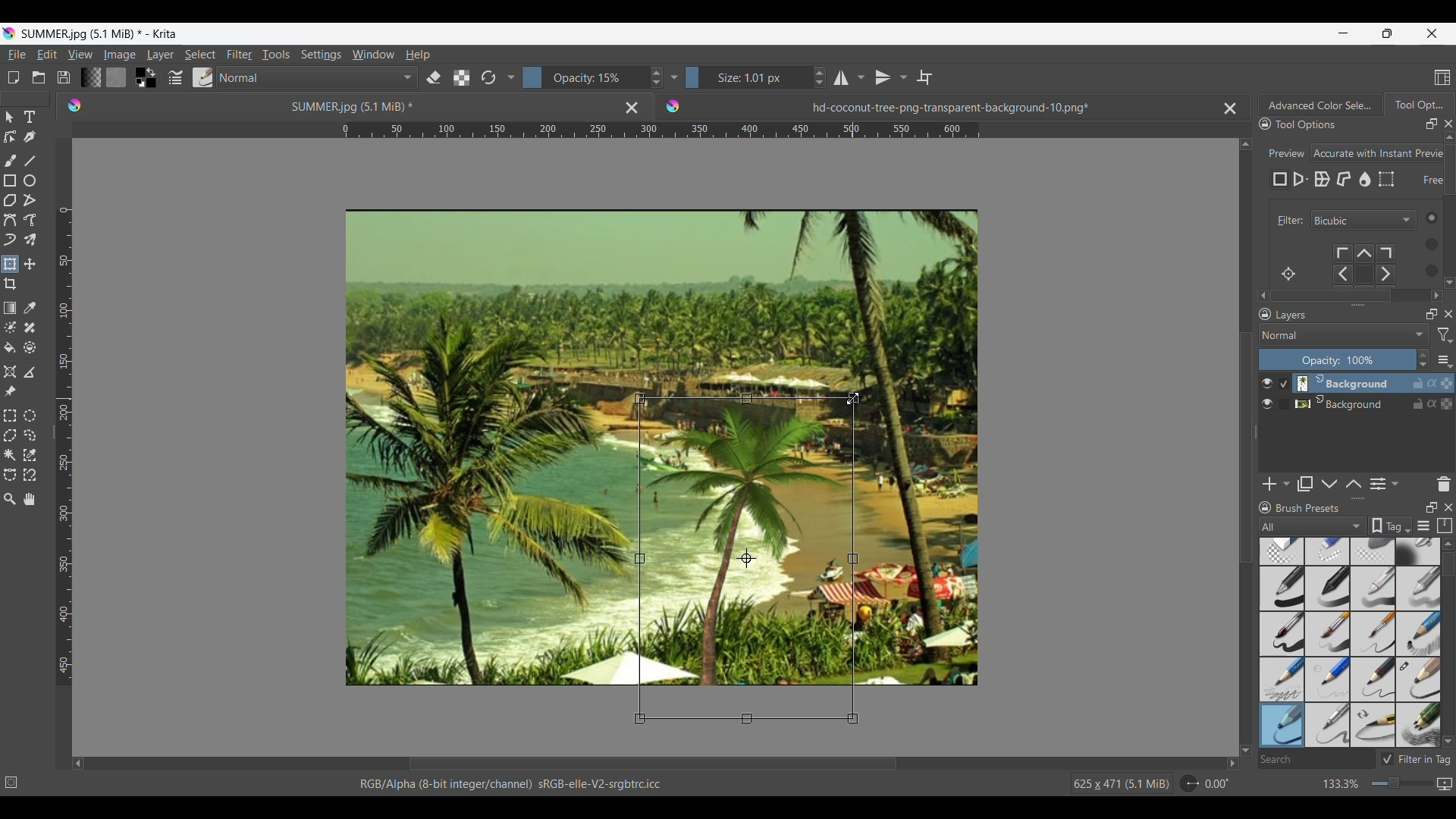 The height and width of the screenshot is (819, 1456). What do you see at coordinates (1448, 124) in the screenshot?
I see `Close docker` at bounding box center [1448, 124].